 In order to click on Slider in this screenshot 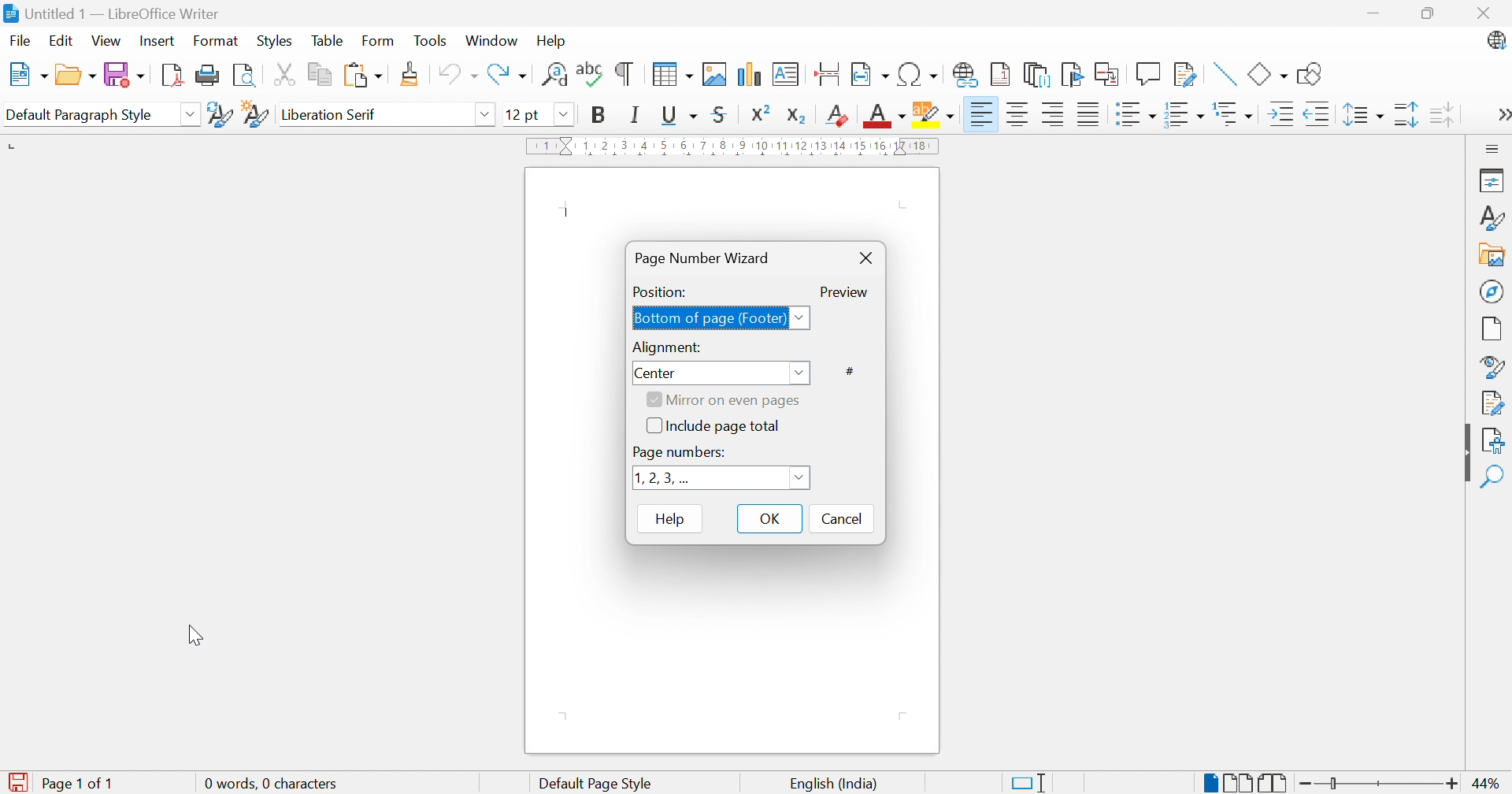, I will do `click(1336, 784)`.